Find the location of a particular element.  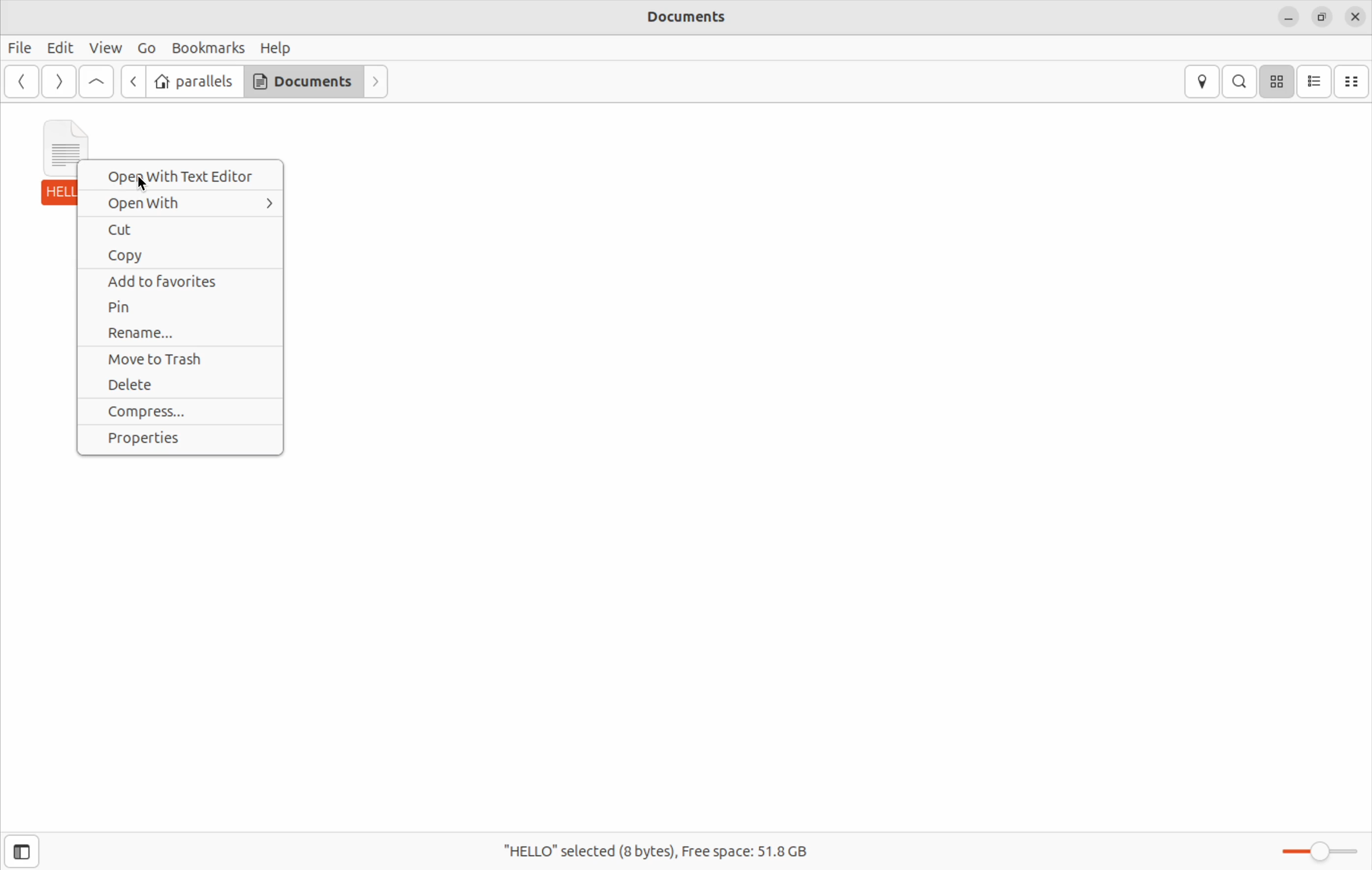

next is located at coordinates (375, 82).